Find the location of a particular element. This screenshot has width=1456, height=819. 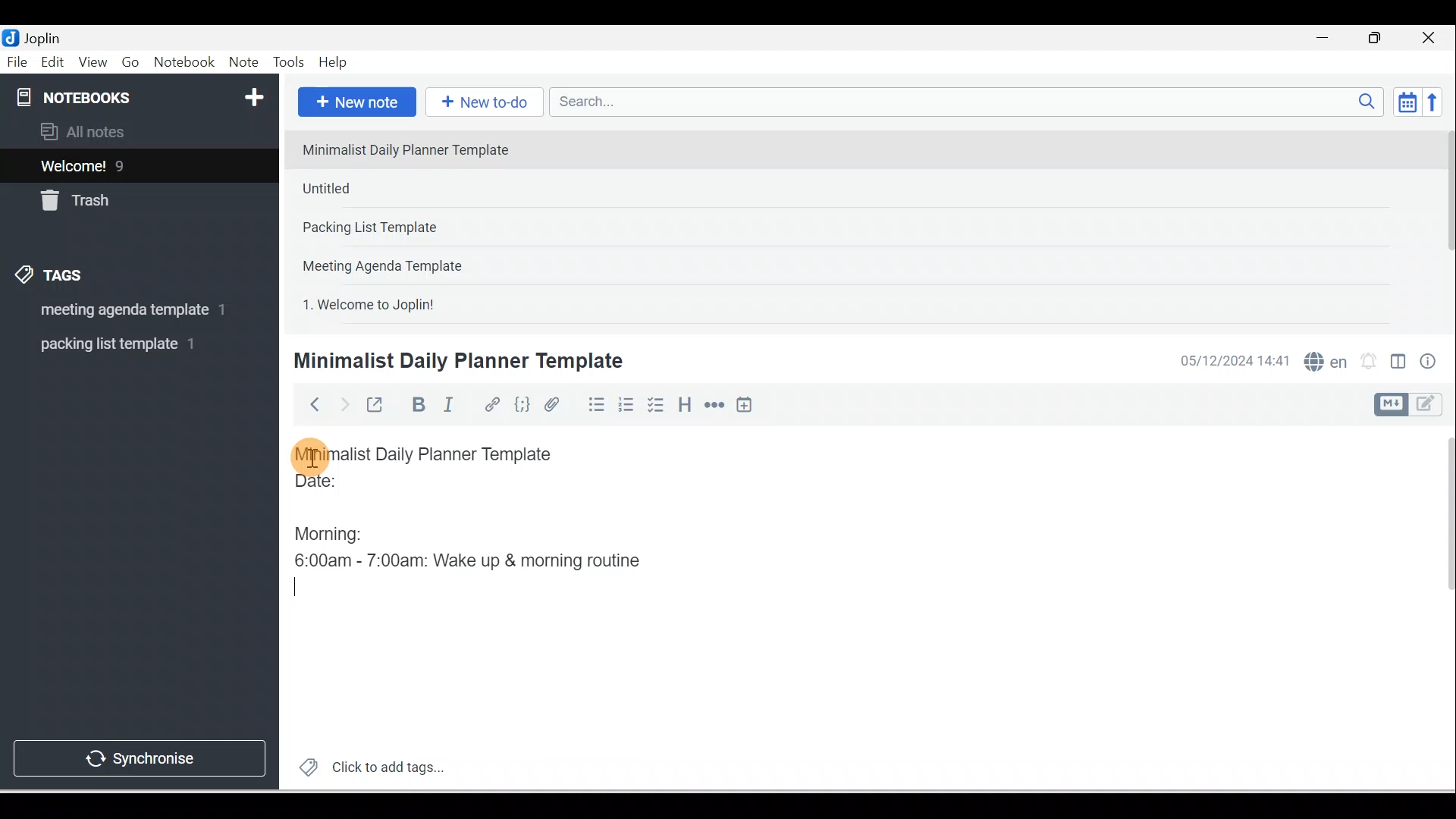

Tools is located at coordinates (288, 62).